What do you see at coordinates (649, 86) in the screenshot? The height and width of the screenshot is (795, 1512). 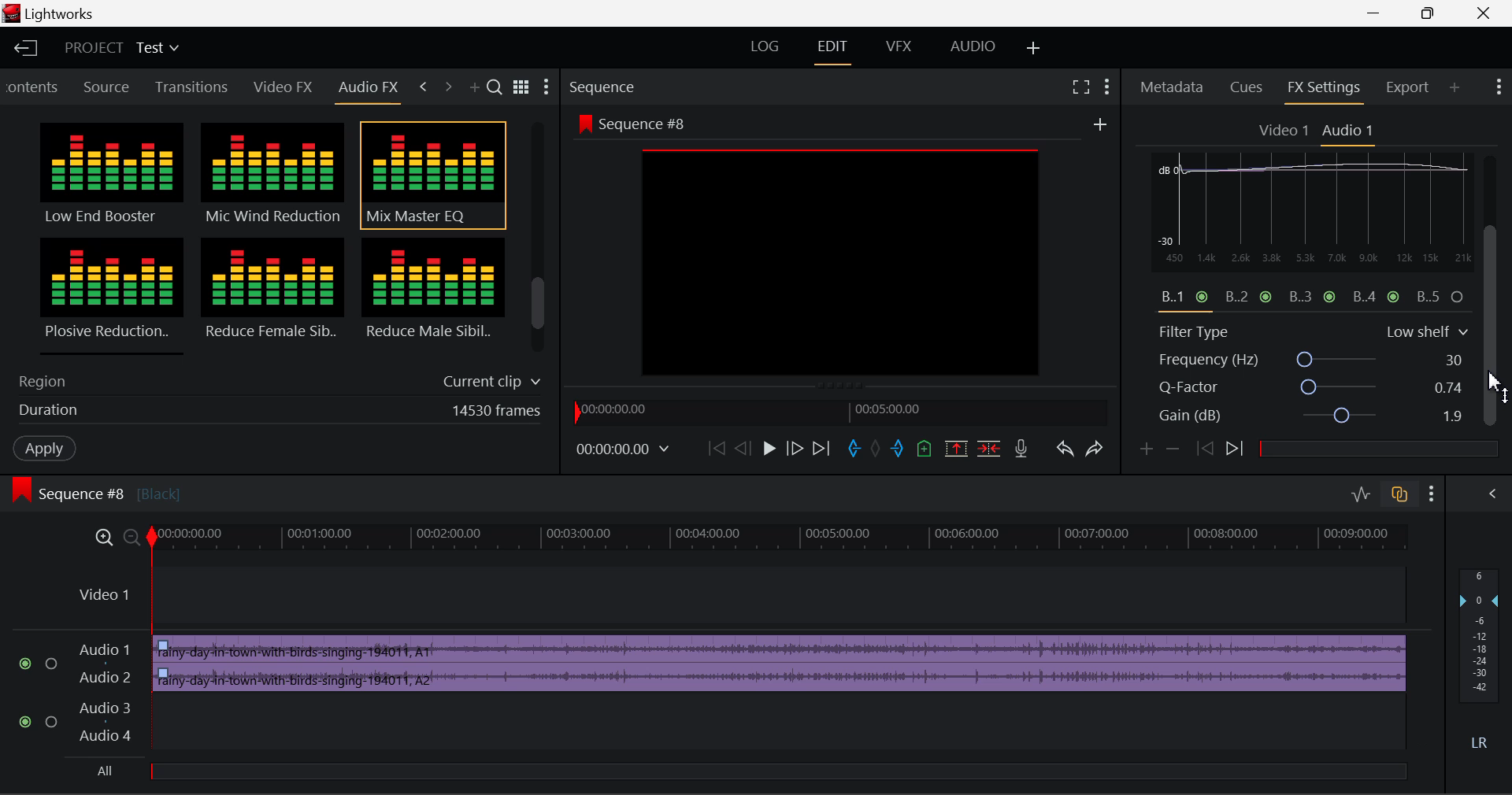 I see `Sequence Section` at bounding box center [649, 86].